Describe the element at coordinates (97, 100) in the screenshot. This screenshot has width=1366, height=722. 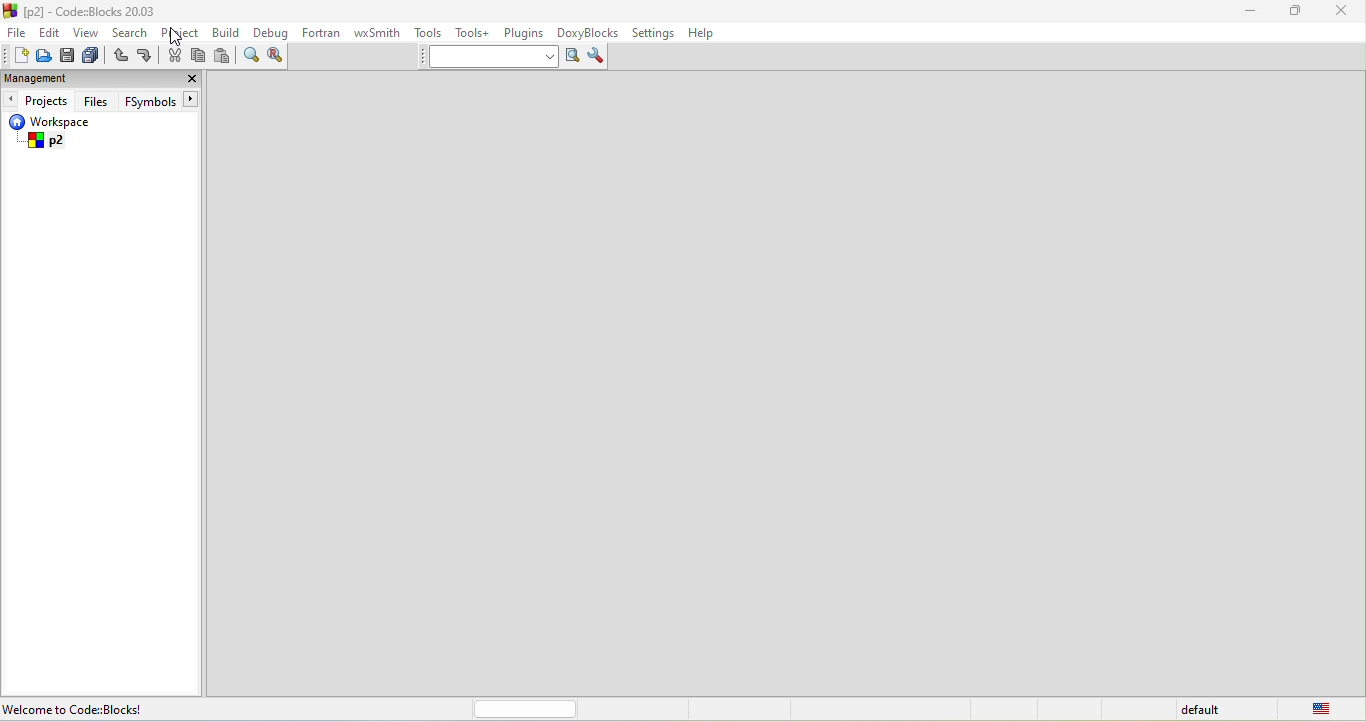
I see `files` at that location.